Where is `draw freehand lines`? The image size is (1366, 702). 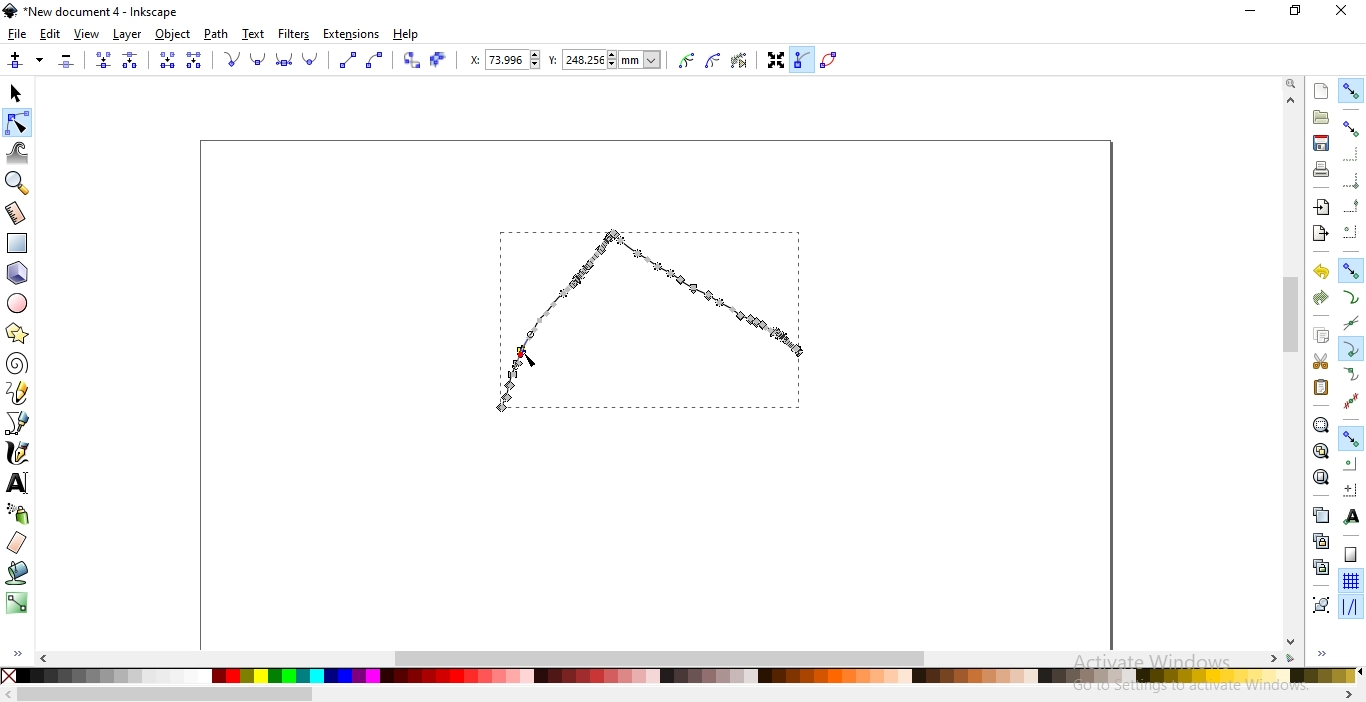 draw freehand lines is located at coordinates (18, 392).